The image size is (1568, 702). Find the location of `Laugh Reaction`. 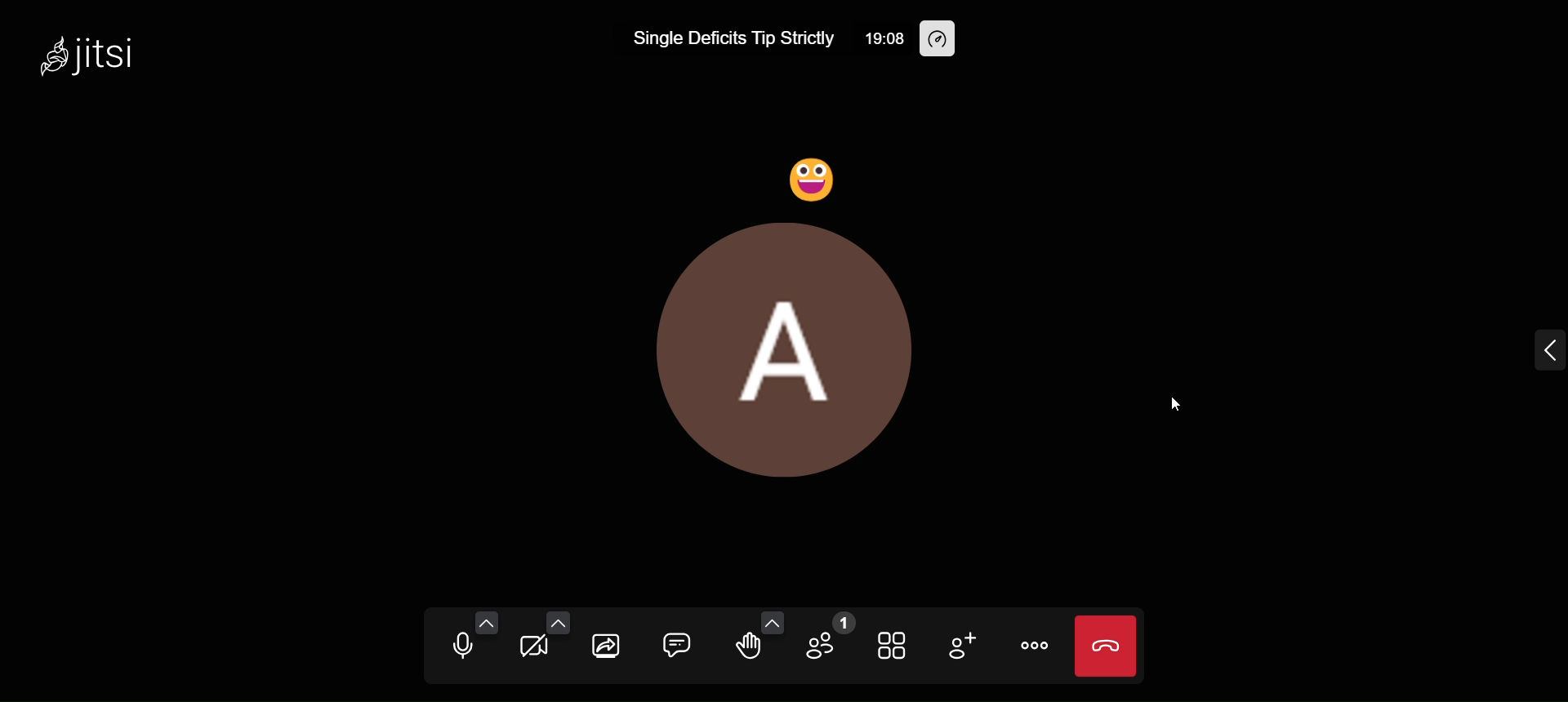

Laugh Reaction is located at coordinates (810, 174).